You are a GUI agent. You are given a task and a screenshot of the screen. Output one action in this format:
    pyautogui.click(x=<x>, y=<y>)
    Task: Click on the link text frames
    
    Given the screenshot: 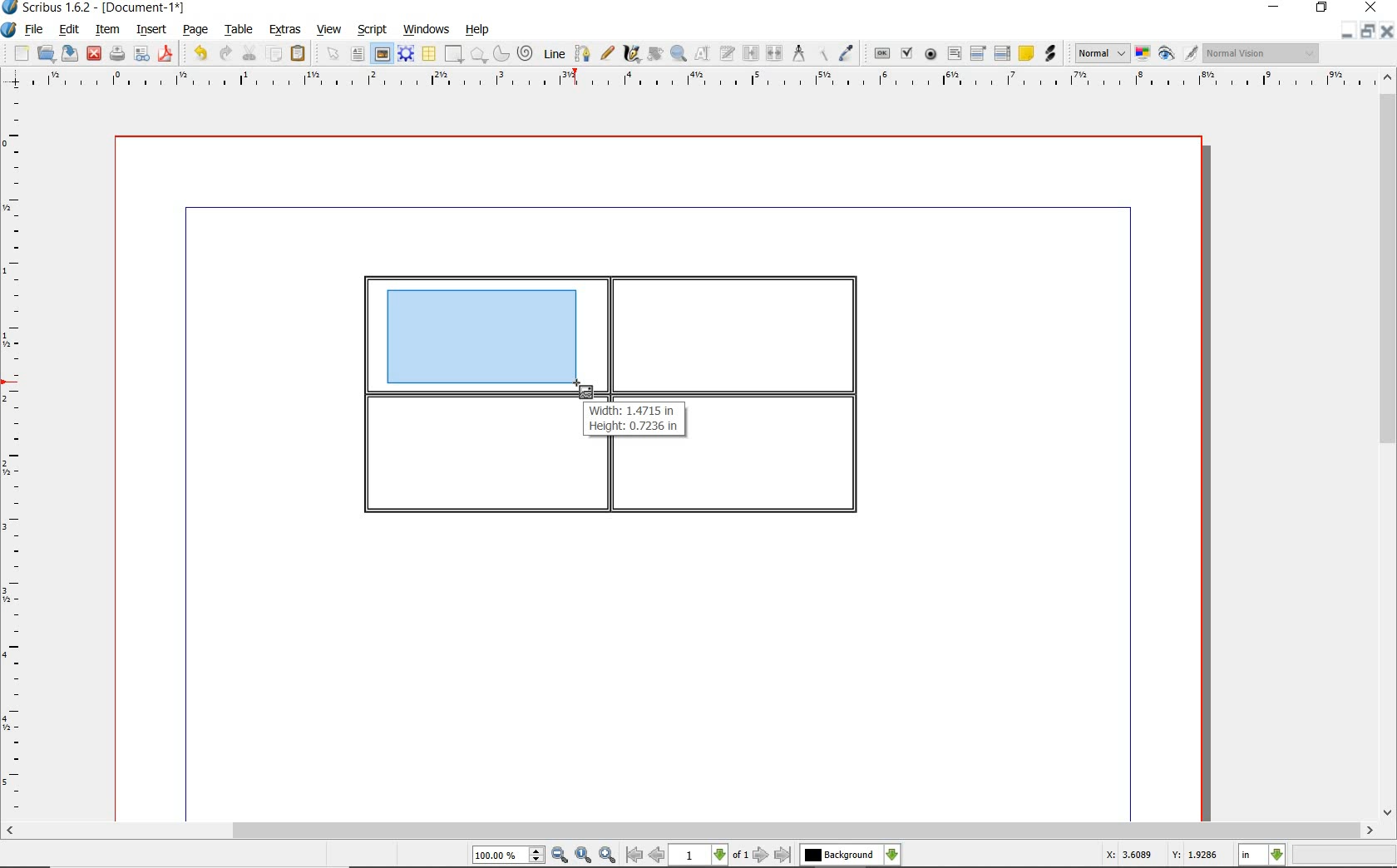 What is the action you would take?
    pyautogui.click(x=752, y=53)
    